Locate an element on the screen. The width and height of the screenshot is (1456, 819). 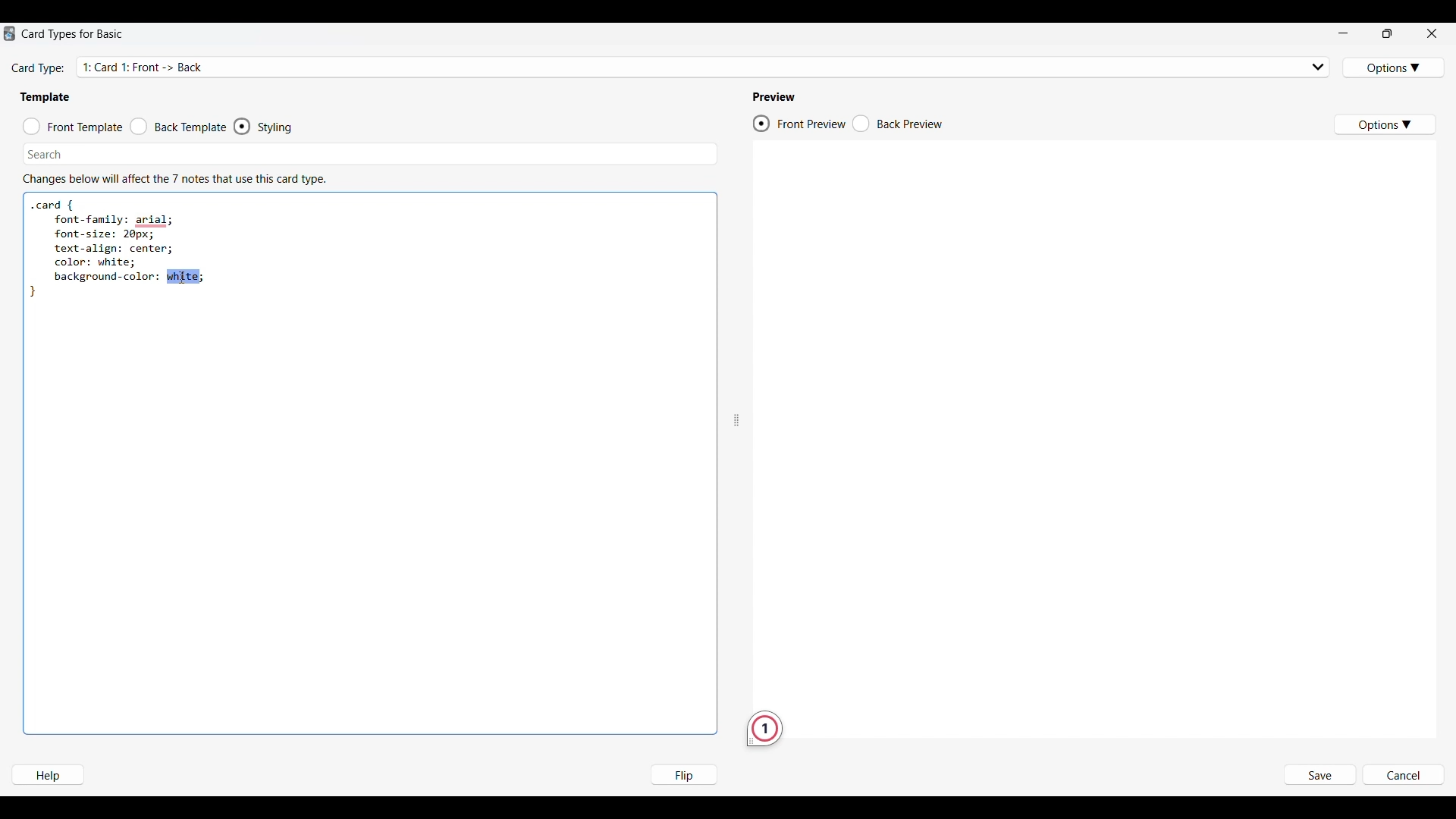
Change width of panels attached to this line is located at coordinates (736, 383).